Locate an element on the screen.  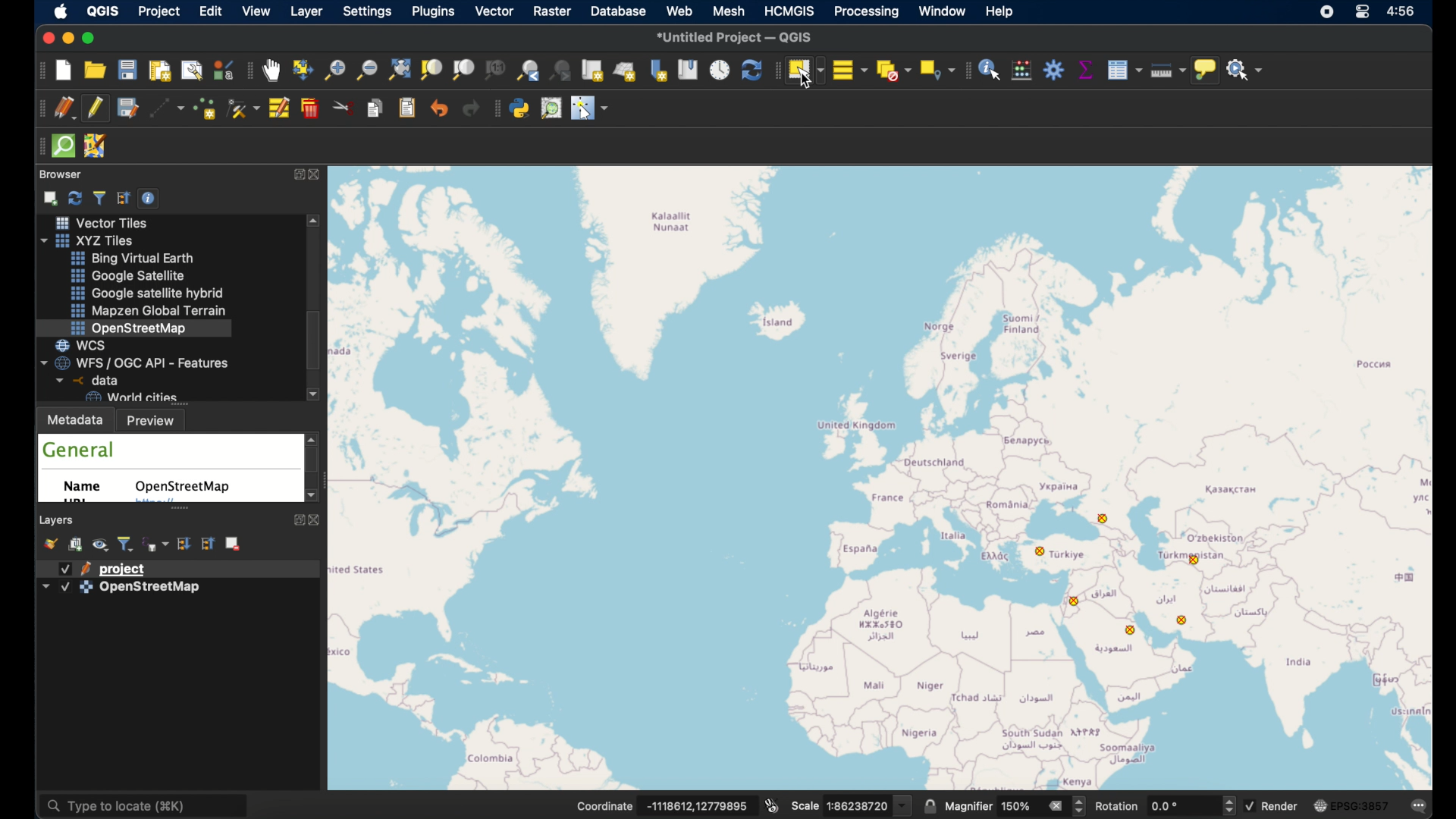
layer is located at coordinates (306, 12).